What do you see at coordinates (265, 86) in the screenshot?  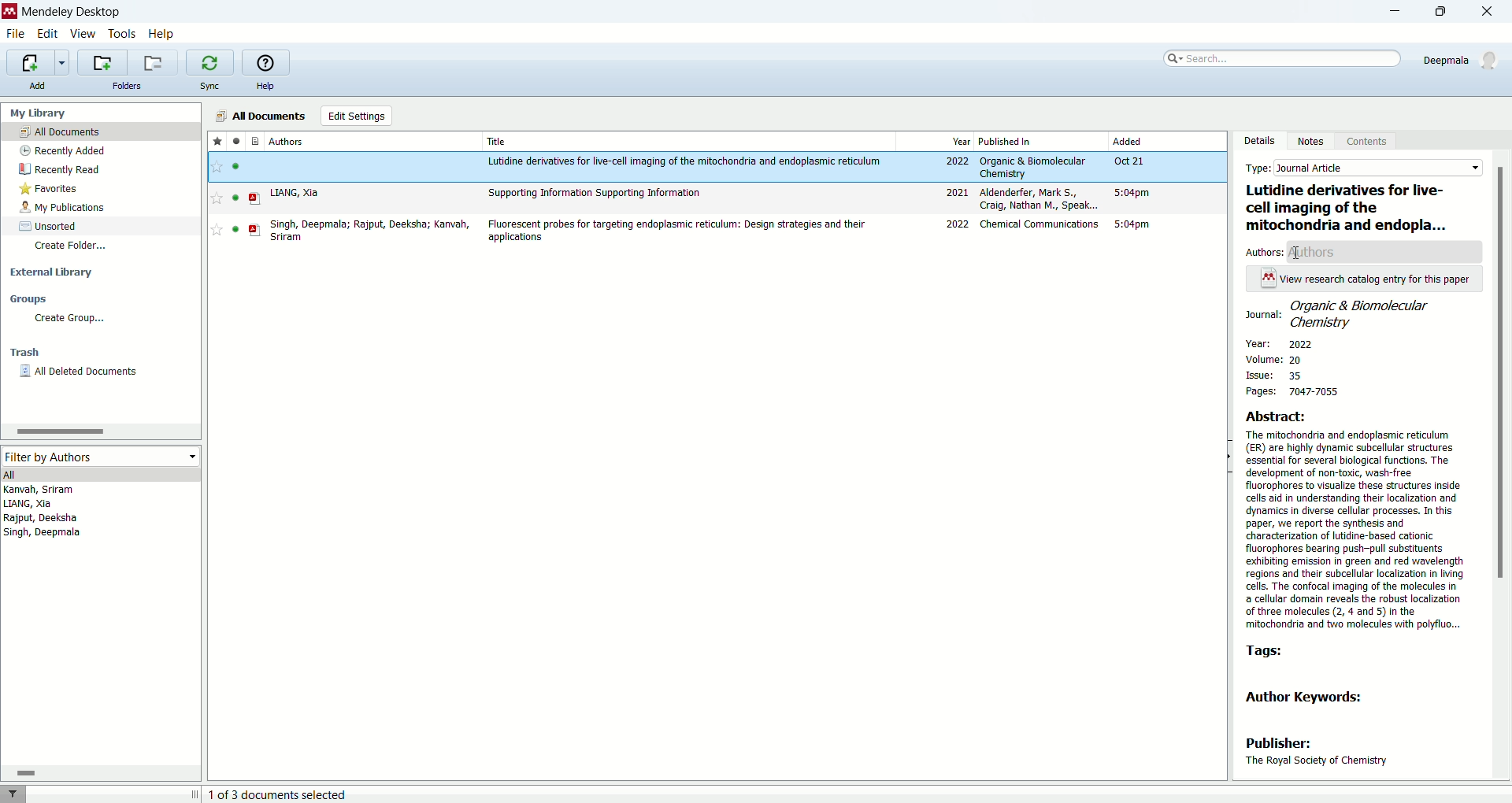 I see `help` at bounding box center [265, 86].